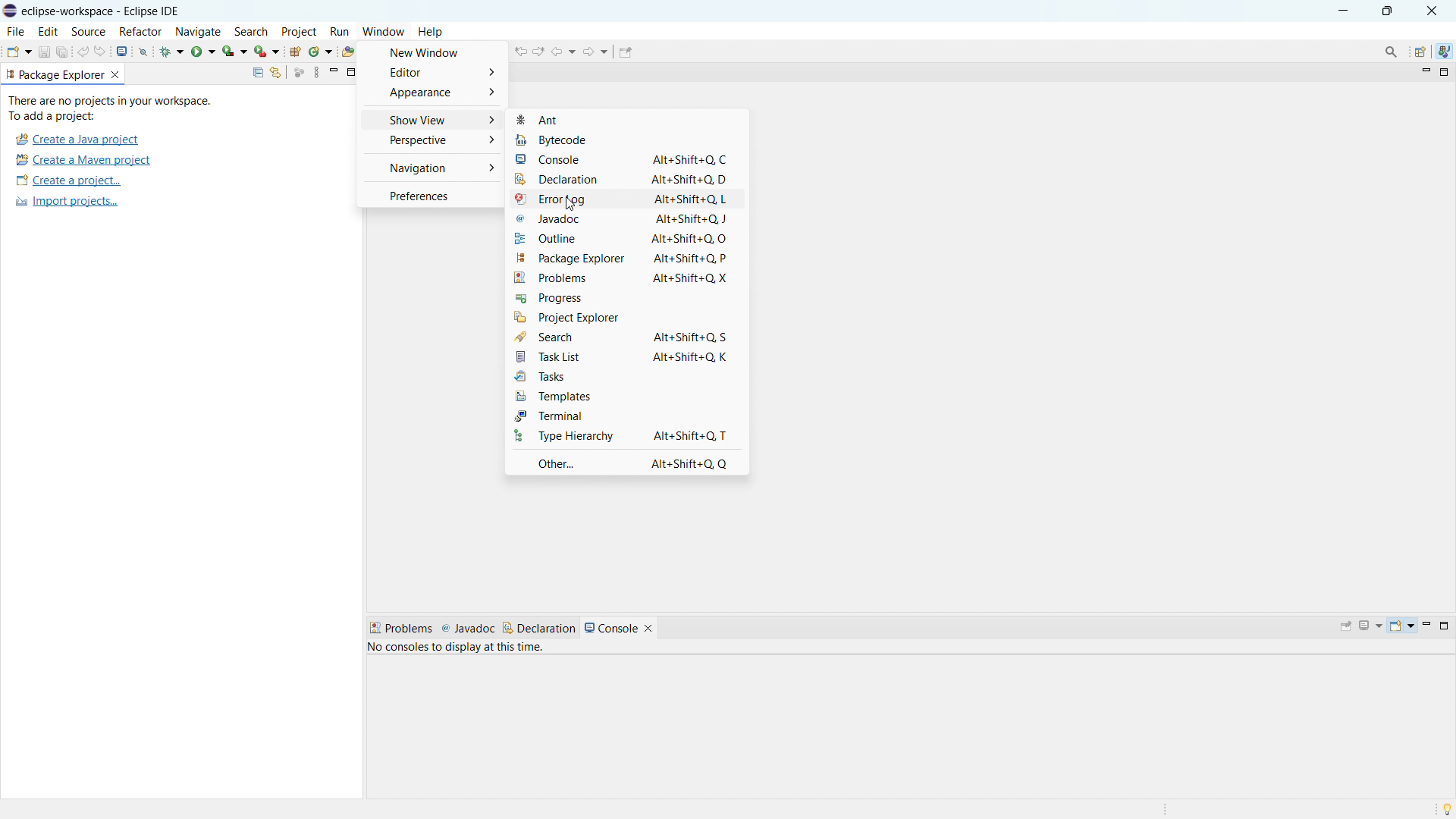 This screenshot has height=819, width=1456. I want to click on create a java project, so click(77, 140).